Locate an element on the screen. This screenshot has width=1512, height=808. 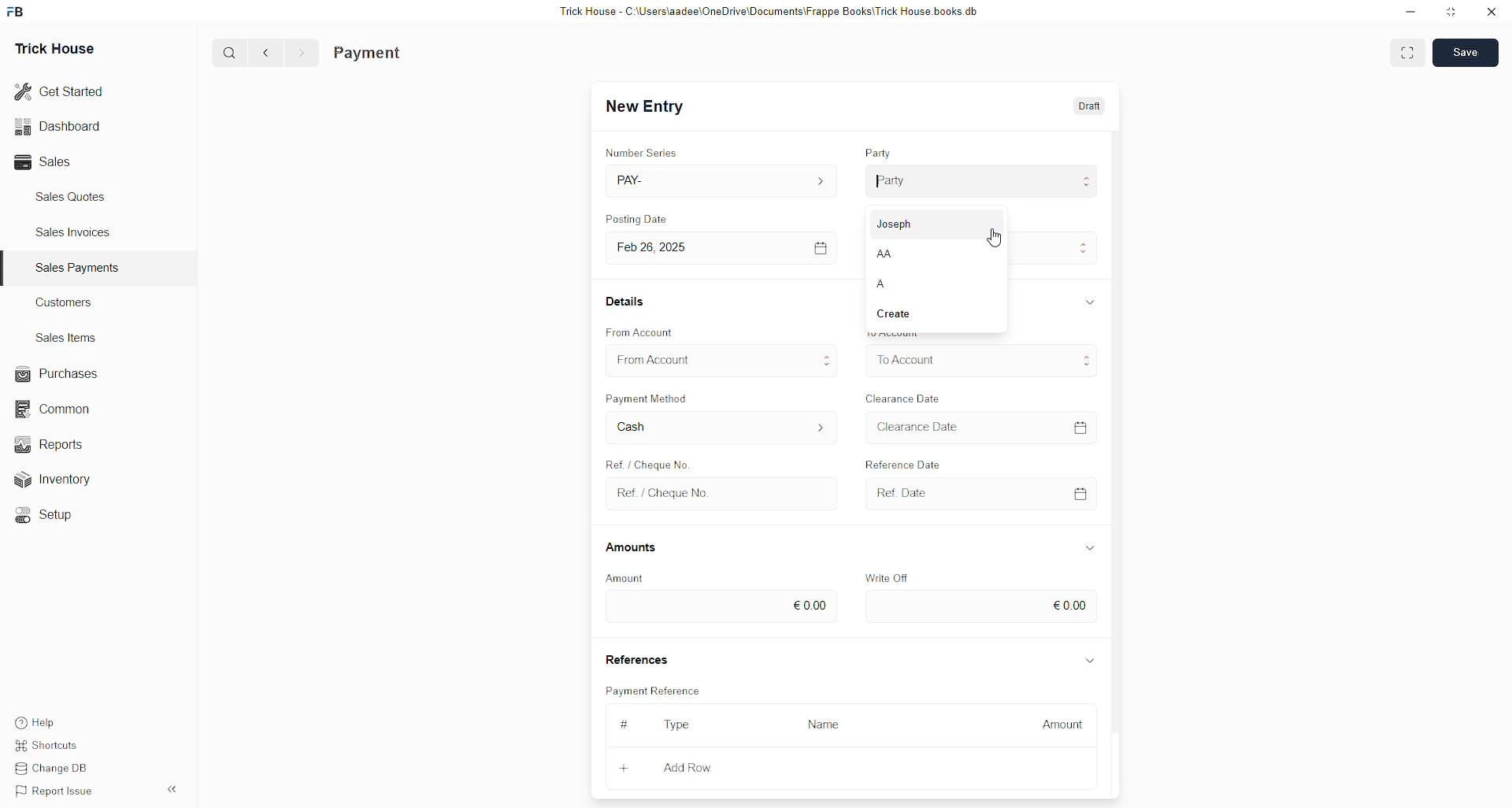
Sales Items is located at coordinates (67, 338).